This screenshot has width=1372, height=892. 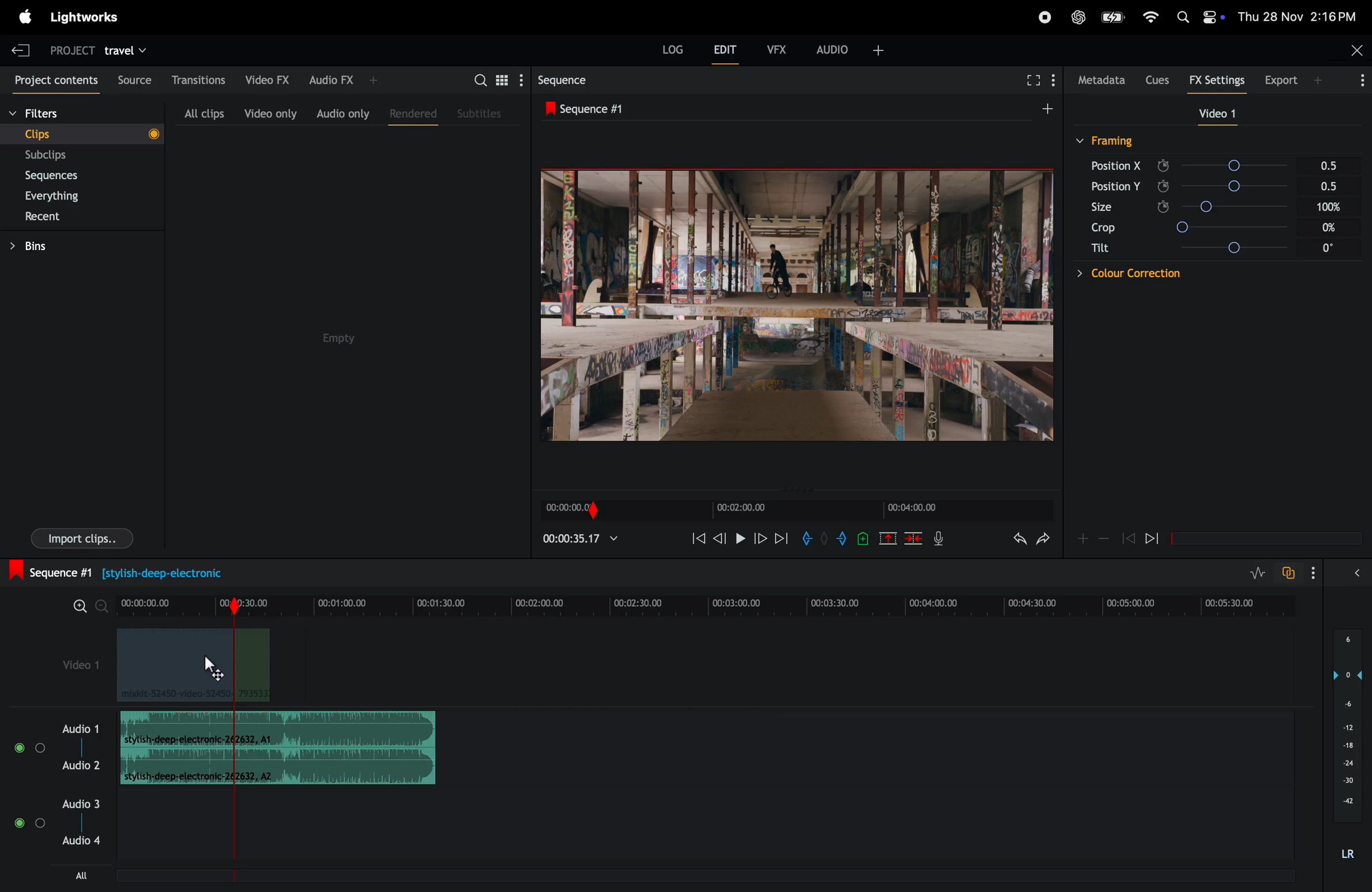 What do you see at coordinates (1128, 538) in the screenshot?
I see `jump to previous key frame` at bounding box center [1128, 538].